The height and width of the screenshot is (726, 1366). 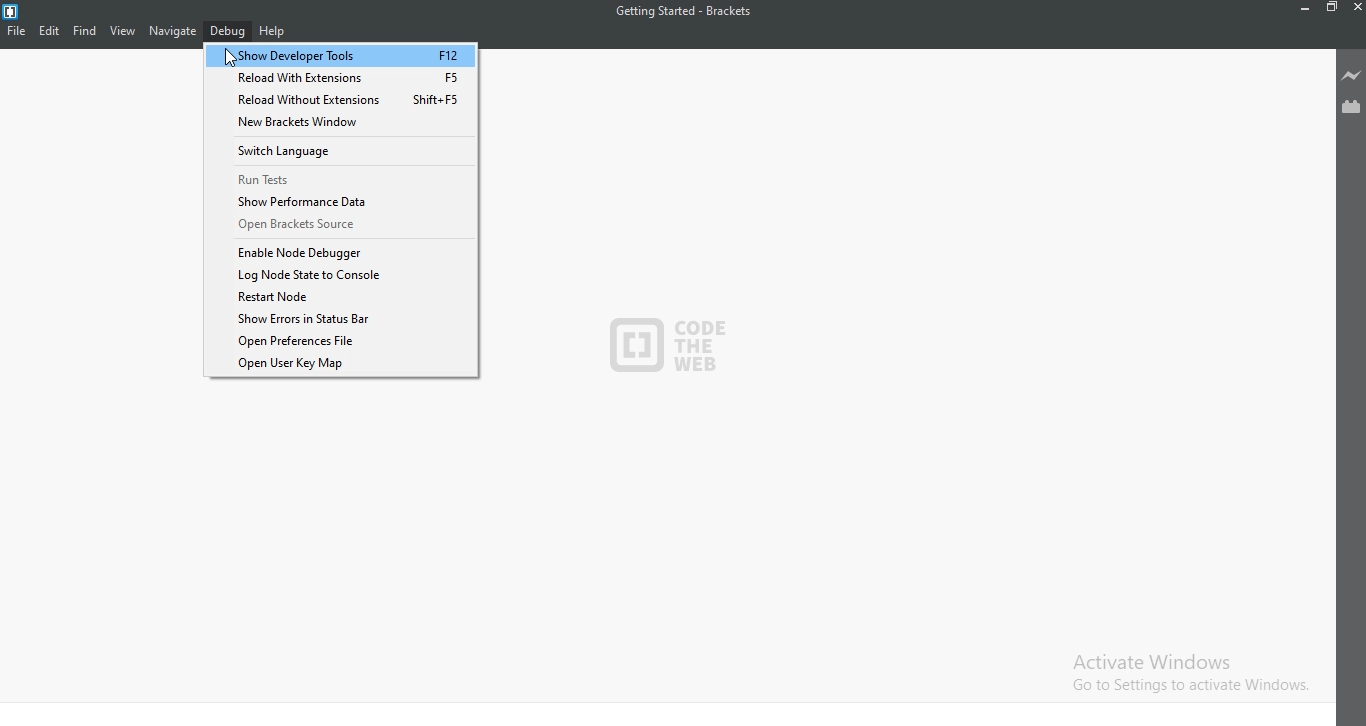 I want to click on Getting Started - Brackets, so click(x=686, y=11).